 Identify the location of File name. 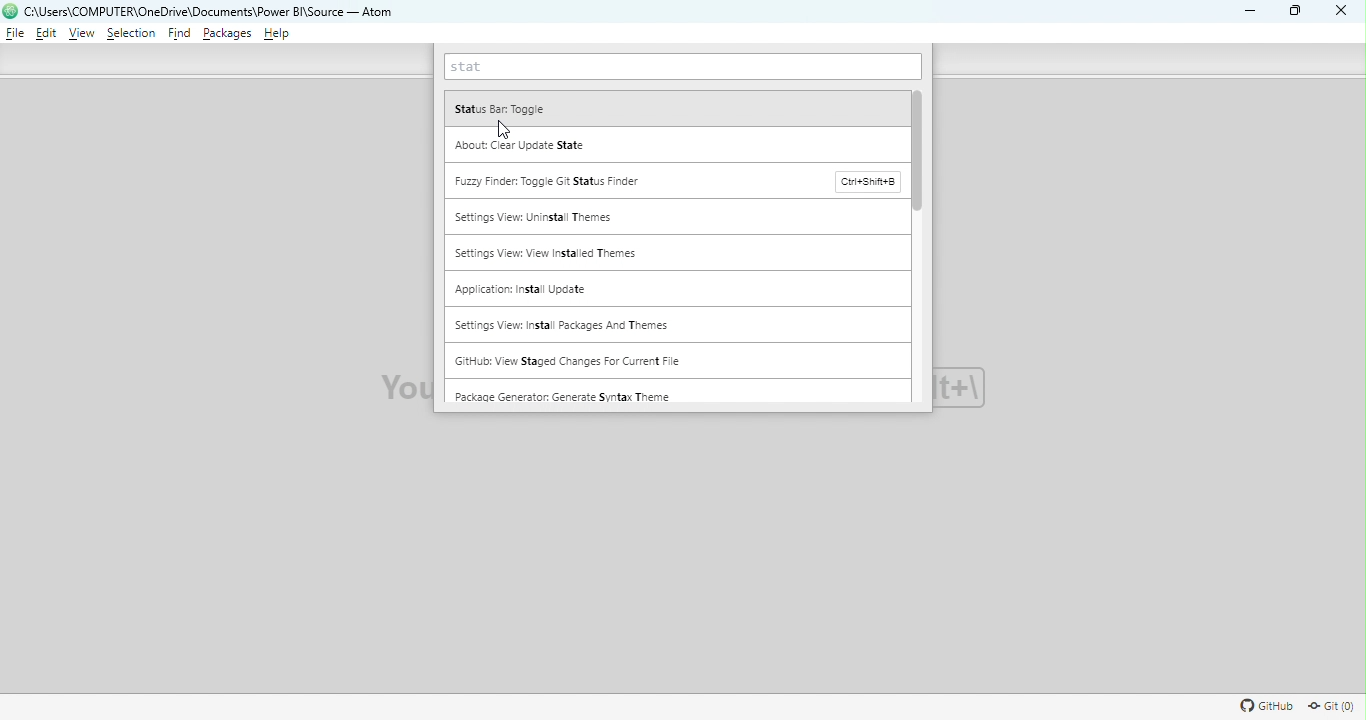
(215, 12).